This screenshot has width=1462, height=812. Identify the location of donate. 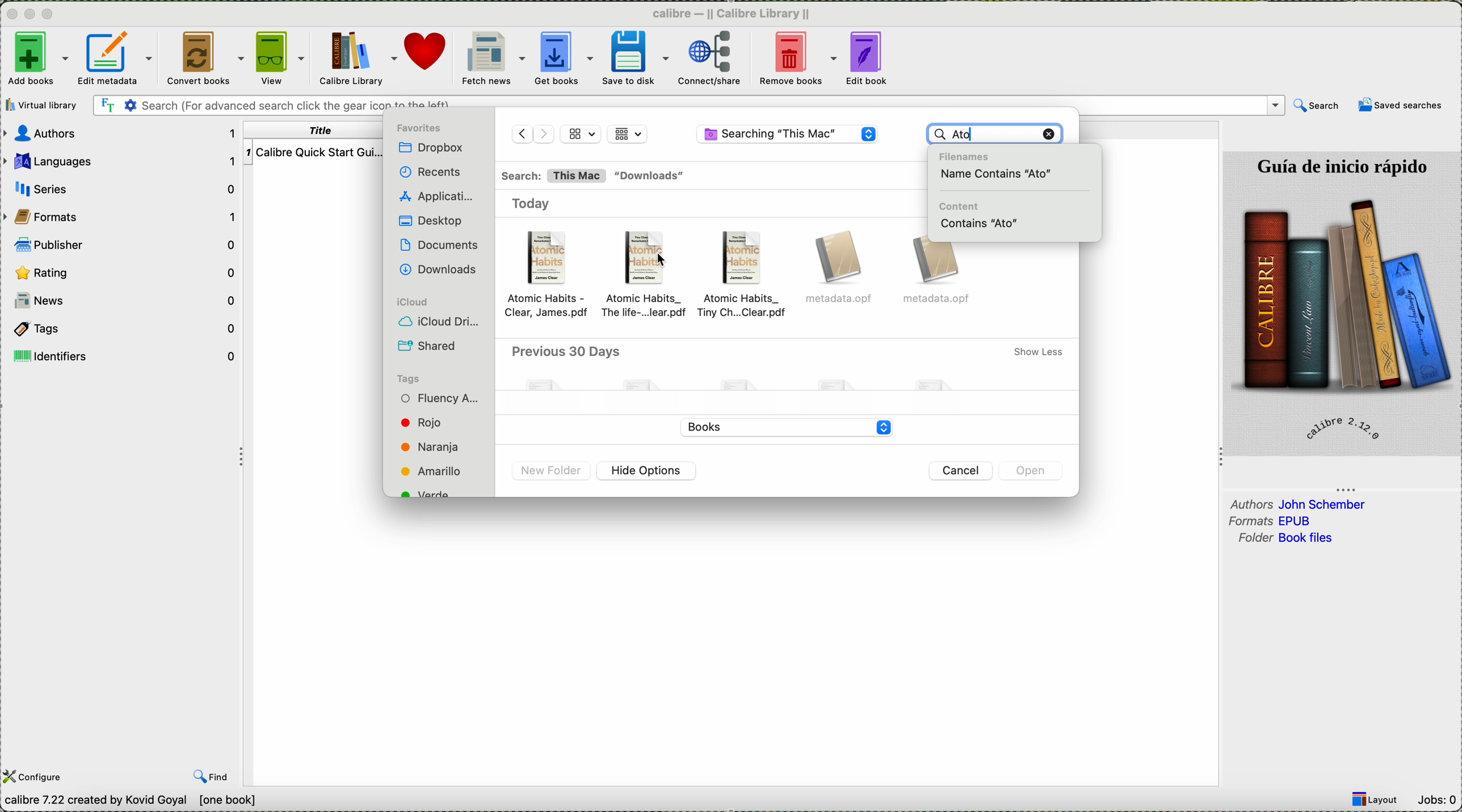
(430, 59).